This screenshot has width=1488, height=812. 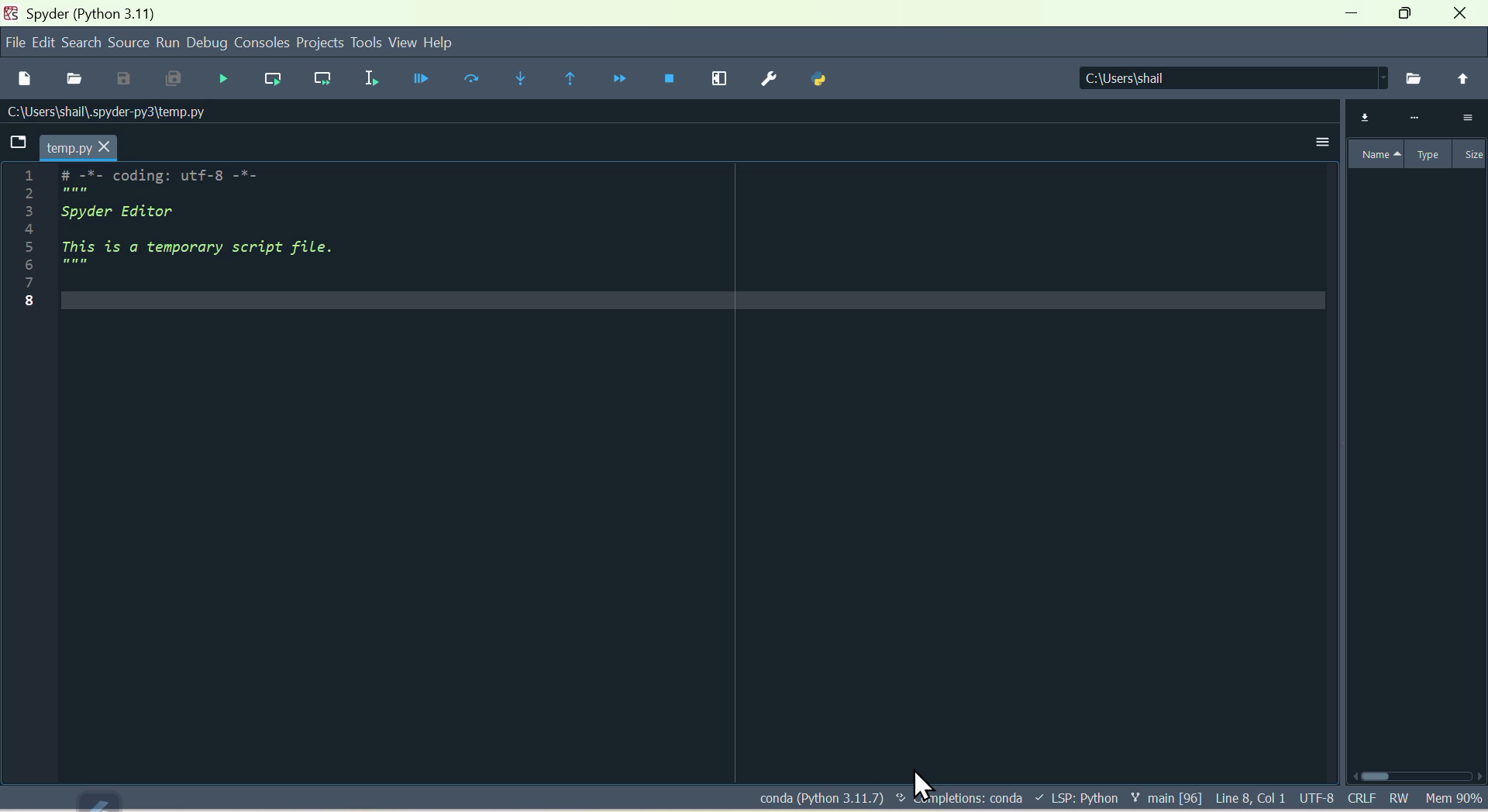 What do you see at coordinates (1227, 79) in the screenshot?
I see `Locations of the file - C:\Users\shail` at bounding box center [1227, 79].